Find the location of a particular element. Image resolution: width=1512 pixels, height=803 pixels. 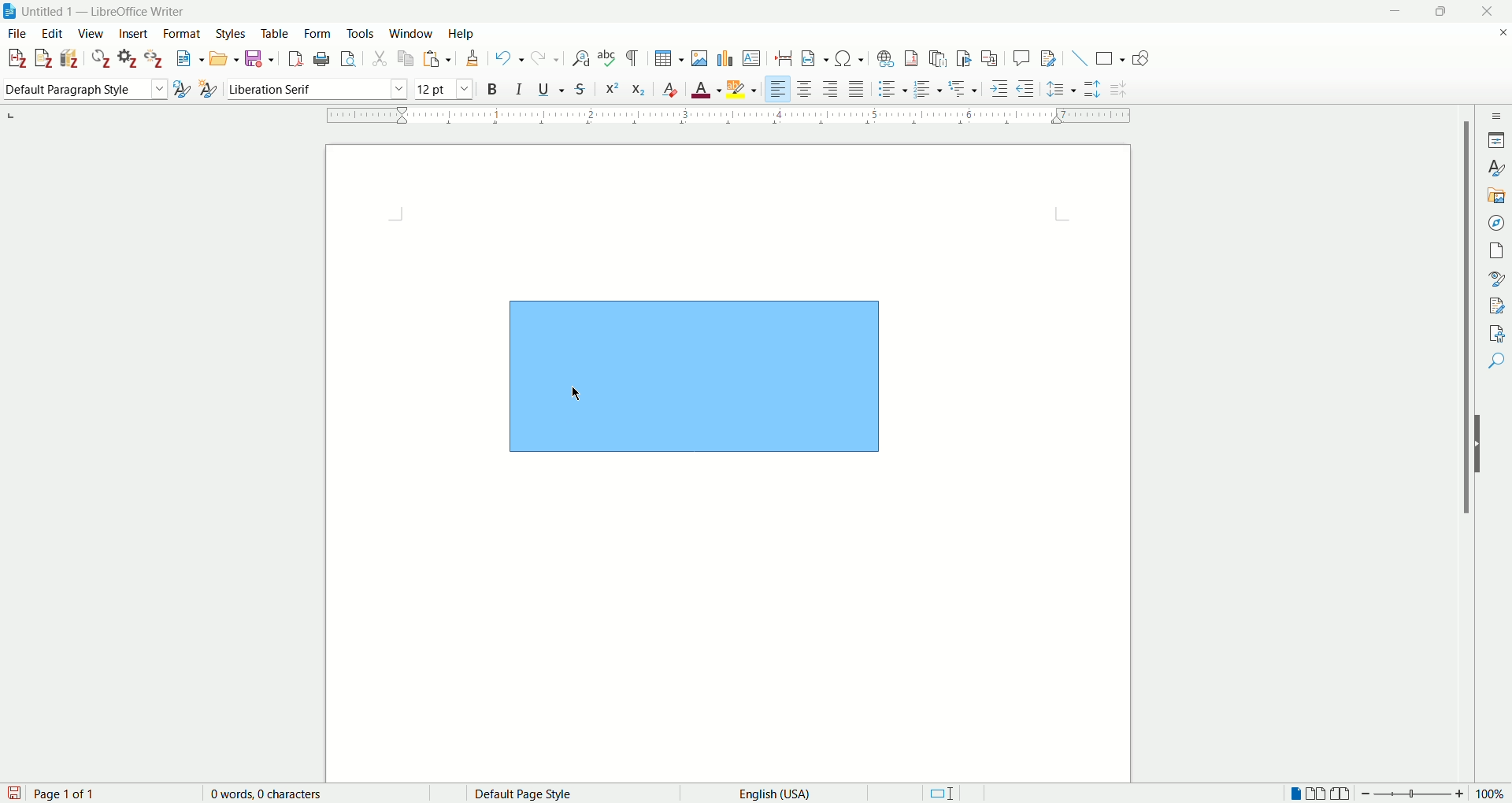

insert image is located at coordinates (702, 59).